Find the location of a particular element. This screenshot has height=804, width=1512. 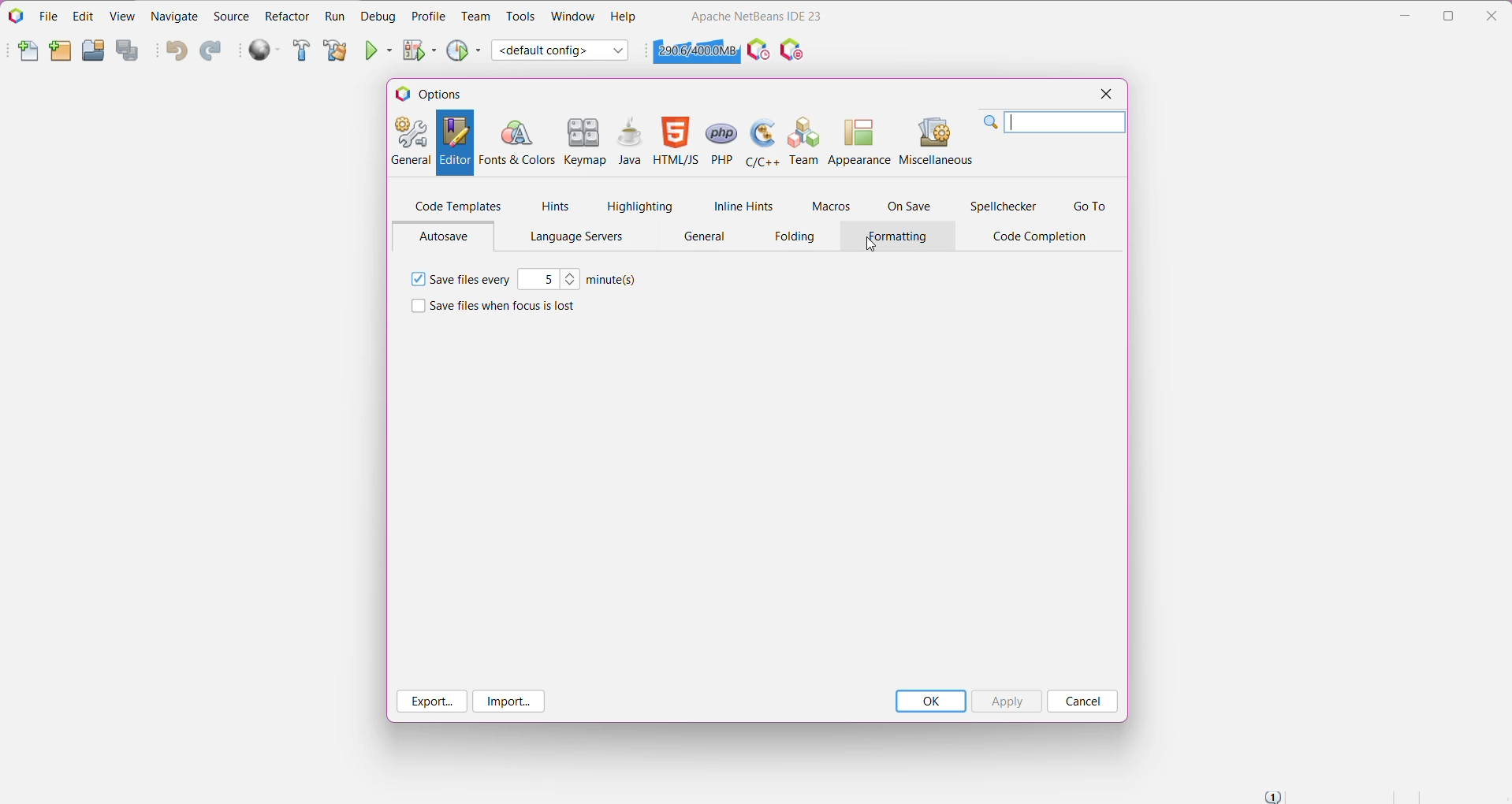

Open Project is located at coordinates (92, 50).